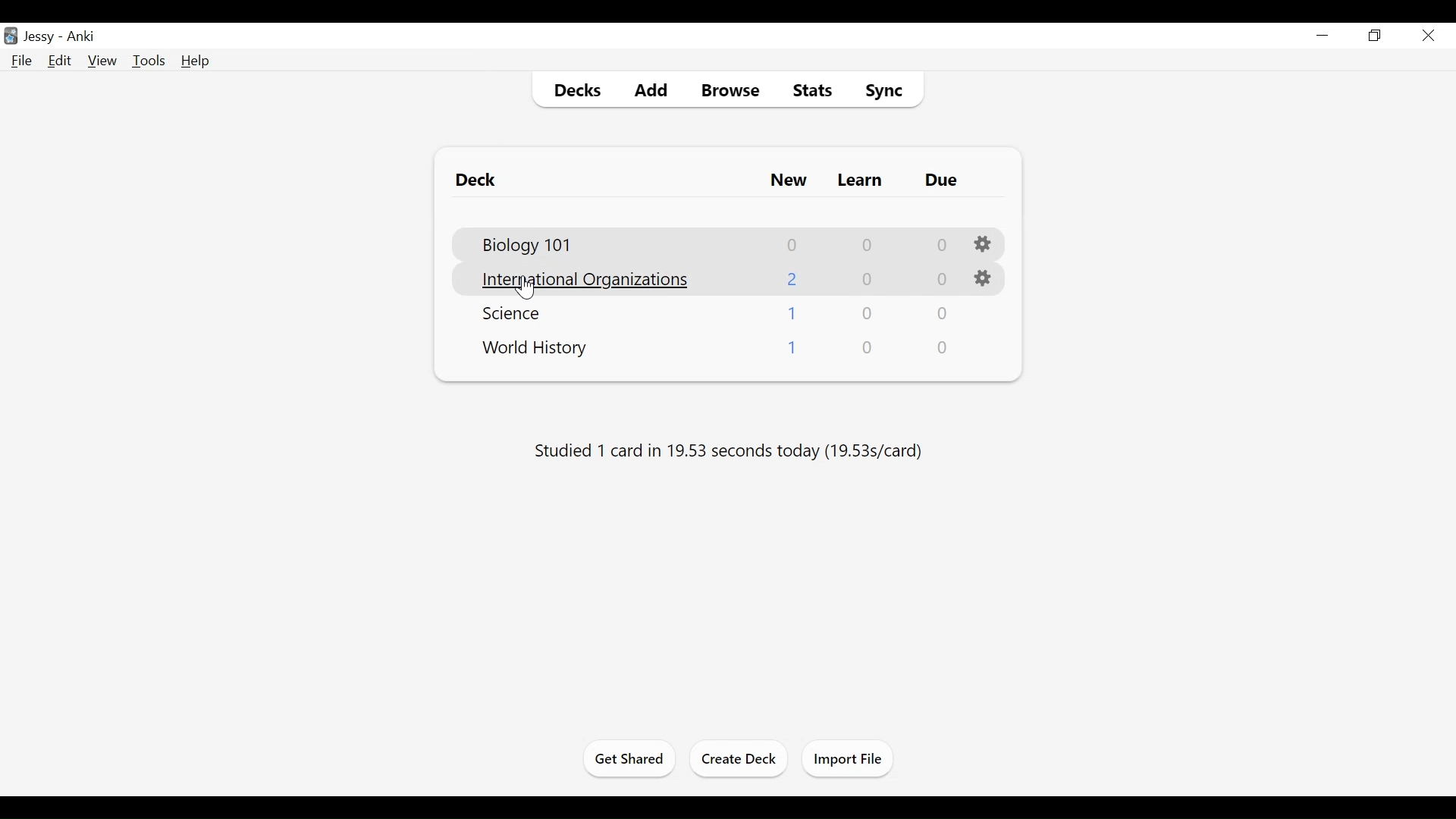  Describe the element at coordinates (944, 279) in the screenshot. I see `Due Cards Count"` at that location.